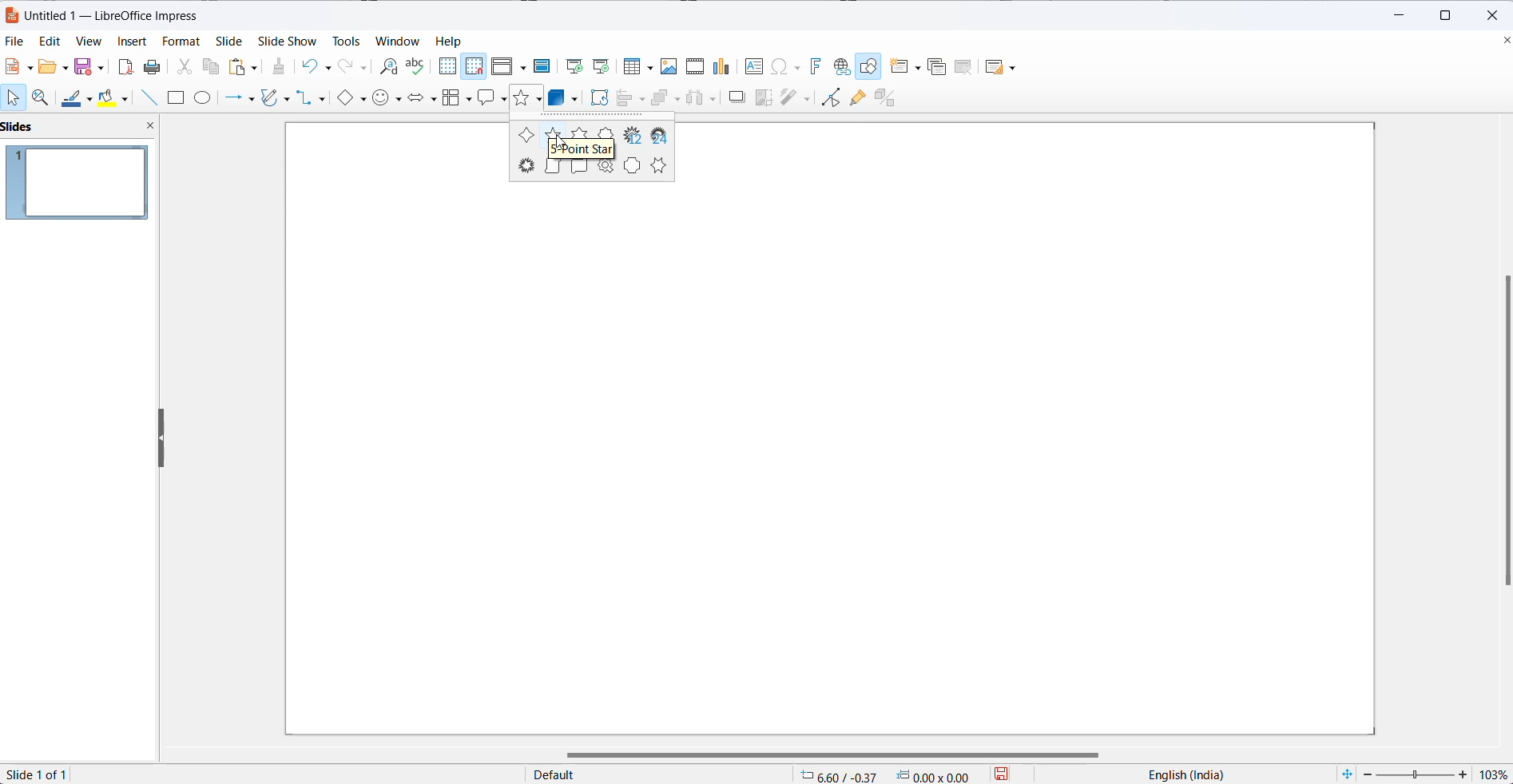  Describe the element at coordinates (475, 69) in the screenshot. I see `snap to grid` at that location.